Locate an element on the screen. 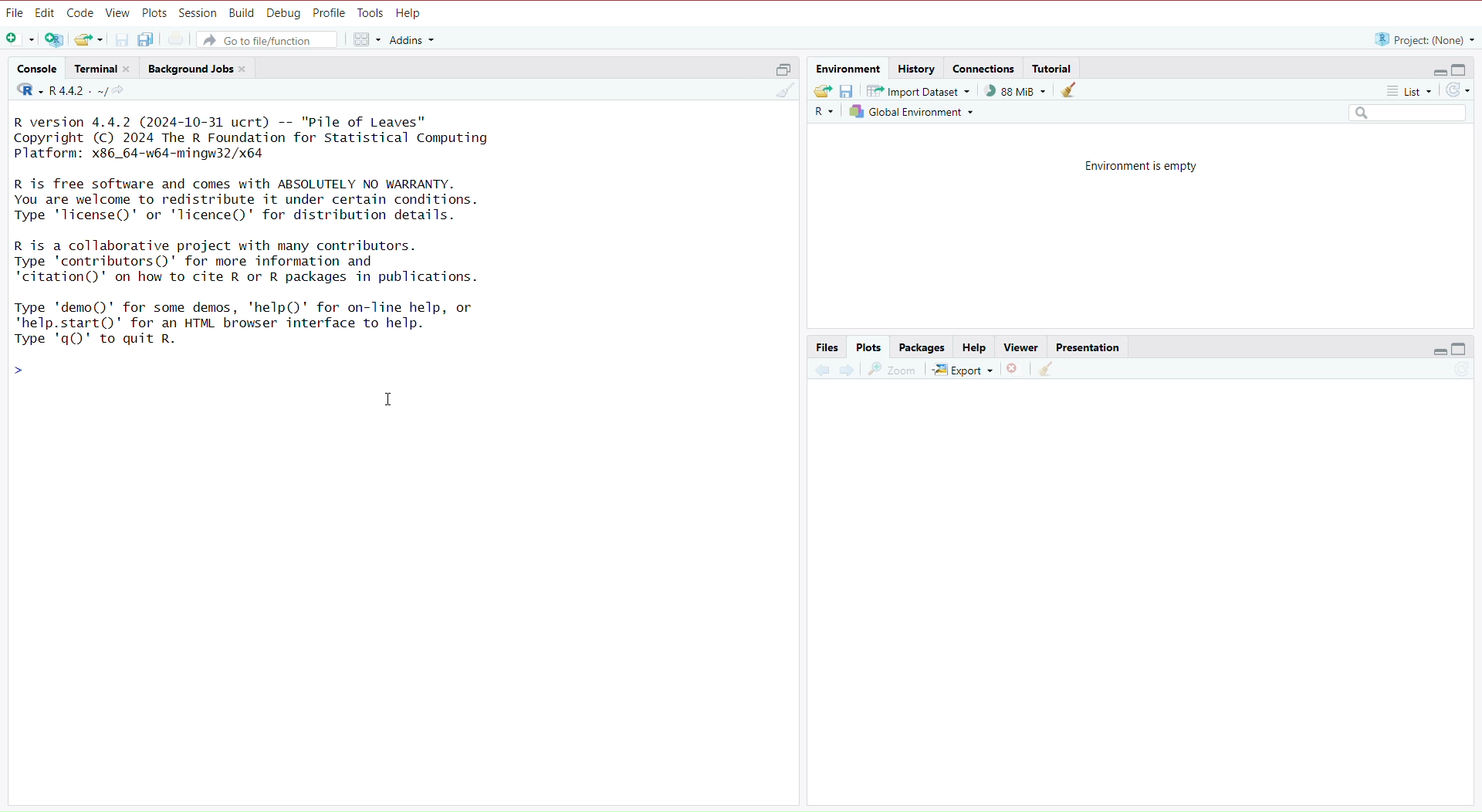  plots is located at coordinates (869, 347).